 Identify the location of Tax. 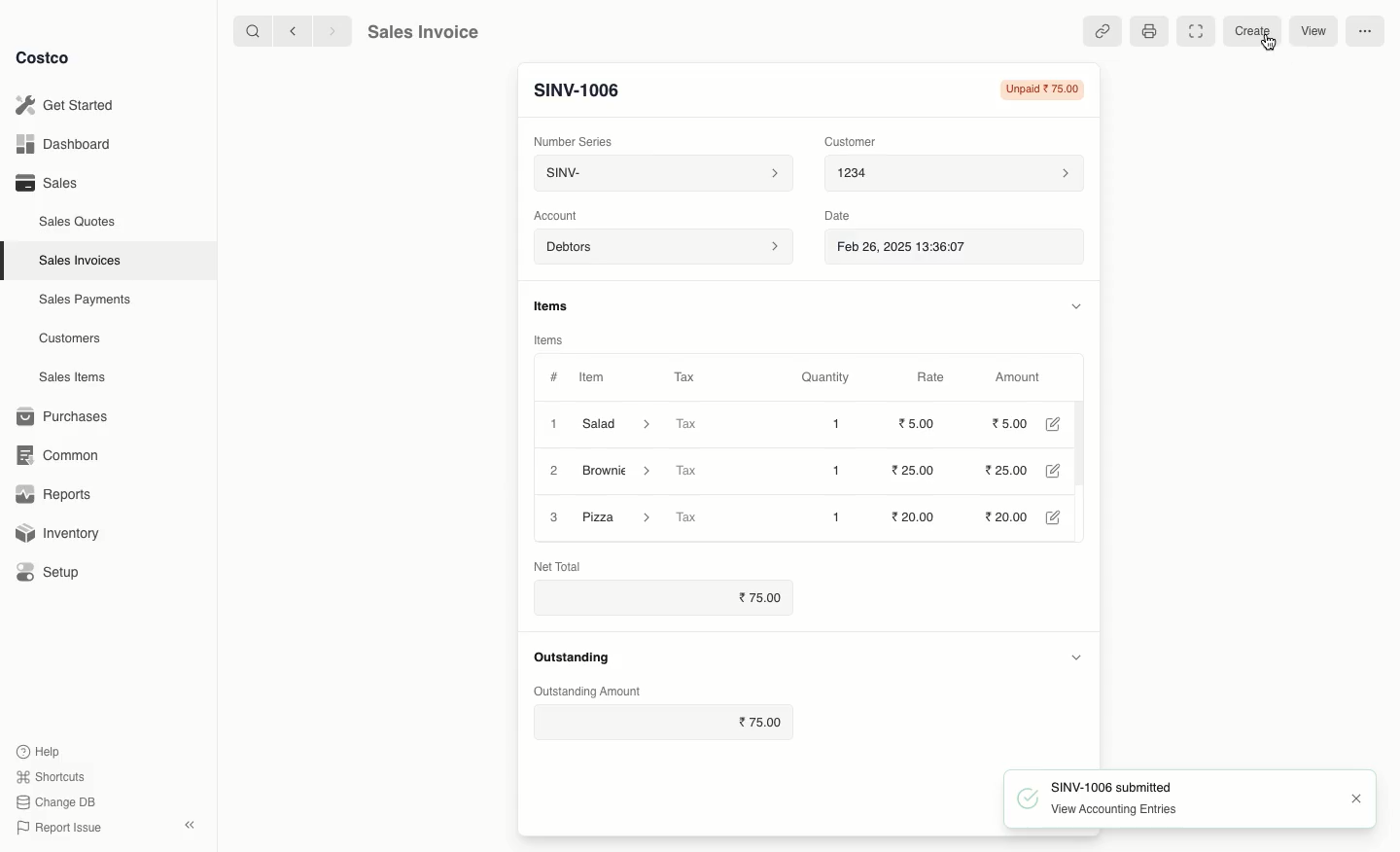
(716, 518).